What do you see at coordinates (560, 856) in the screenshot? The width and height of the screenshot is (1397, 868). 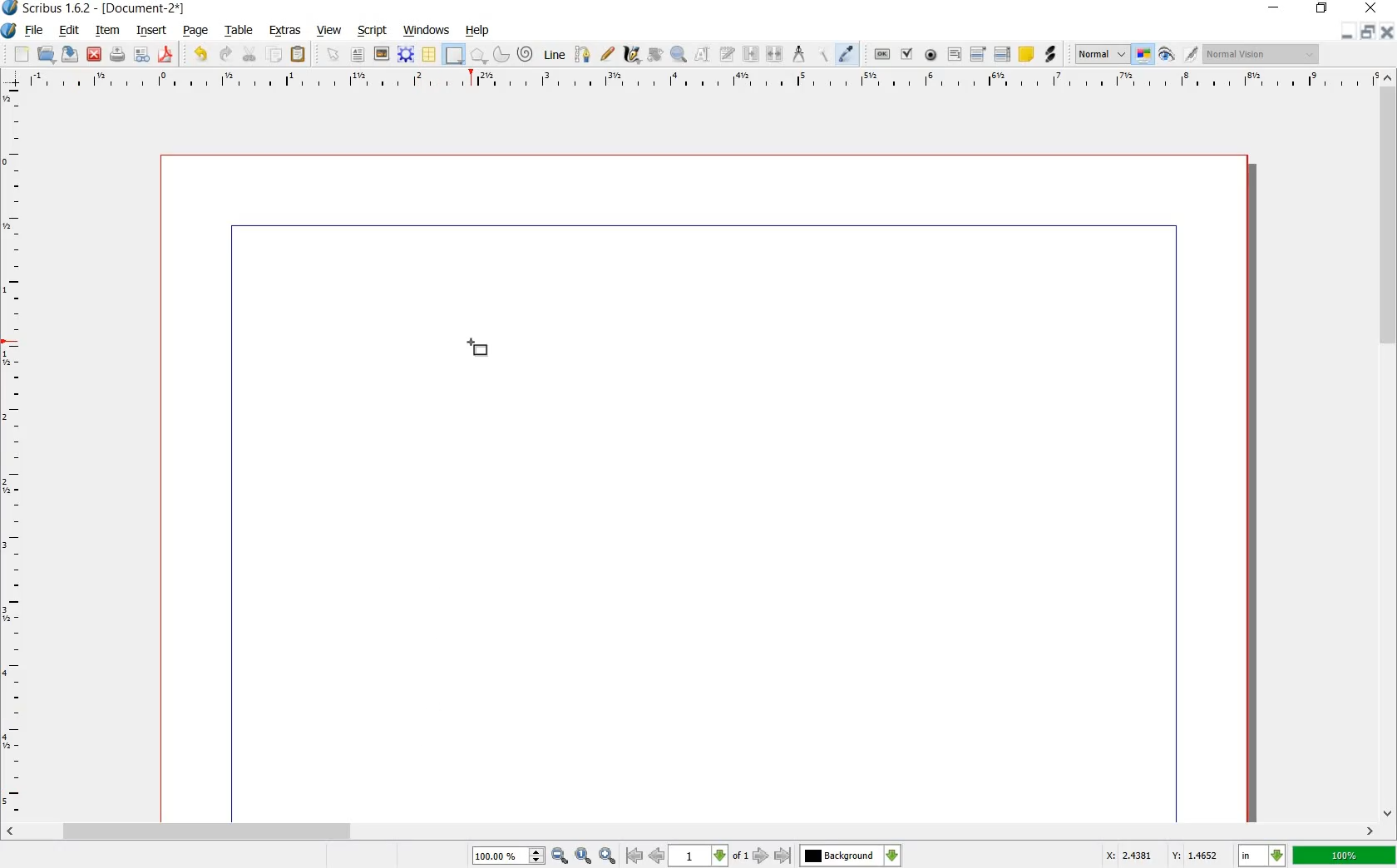 I see `zoom out` at bounding box center [560, 856].